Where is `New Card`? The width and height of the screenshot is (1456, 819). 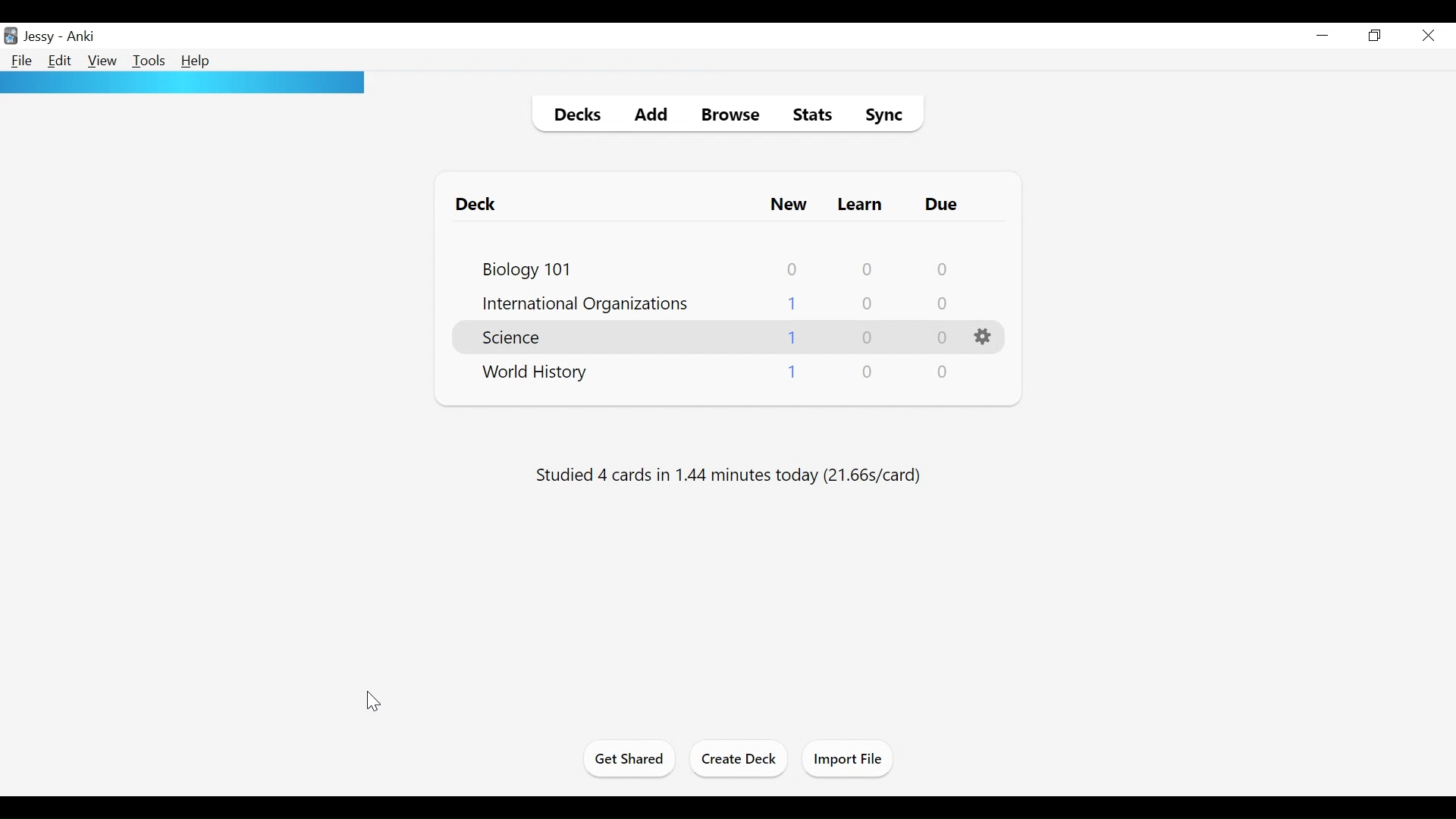 New Card is located at coordinates (788, 206).